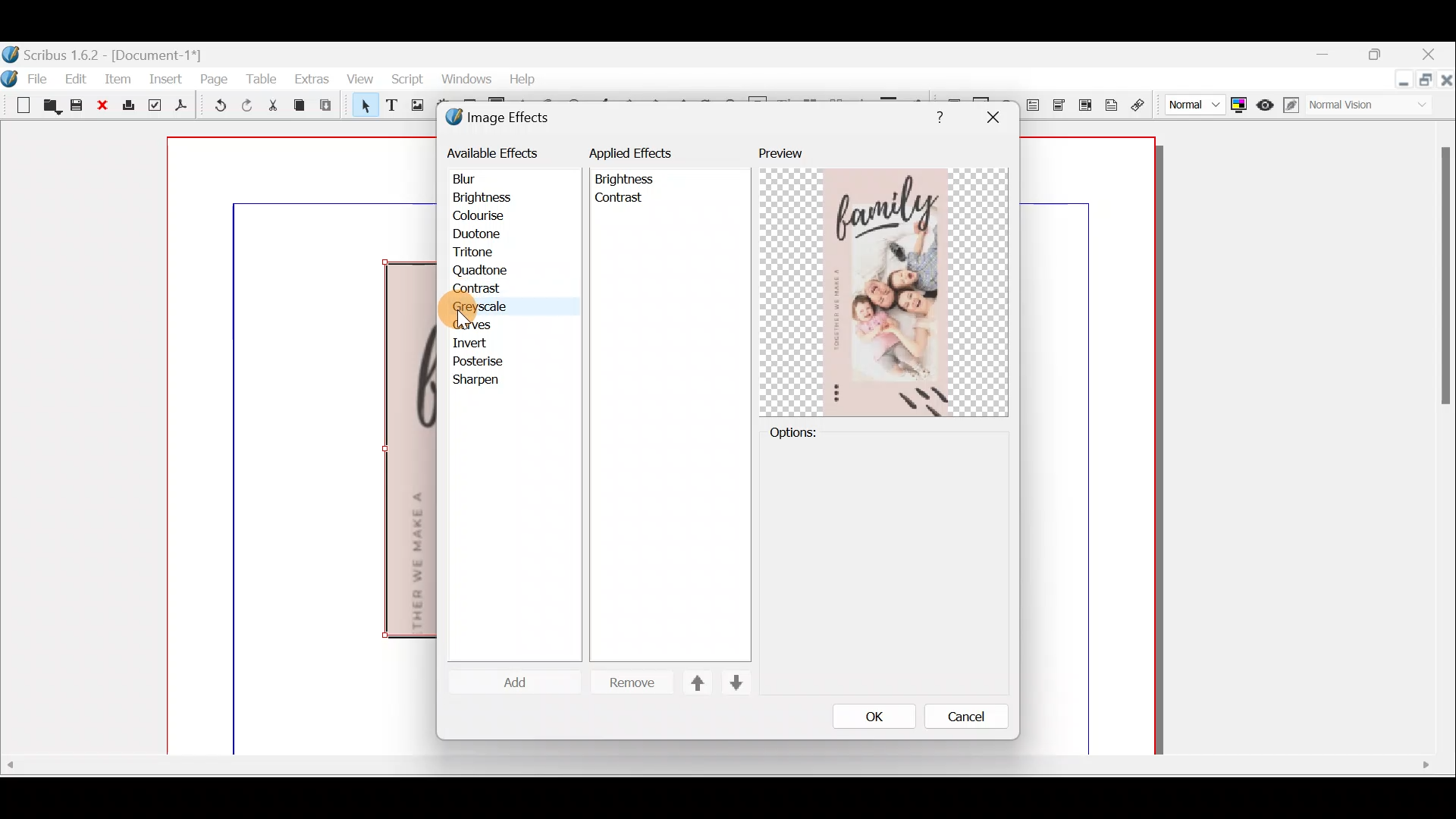 The image size is (1456, 819). What do you see at coordinates (506, 118) in the screenshot?
I see `Image effects` at bounding box center [506, 118].